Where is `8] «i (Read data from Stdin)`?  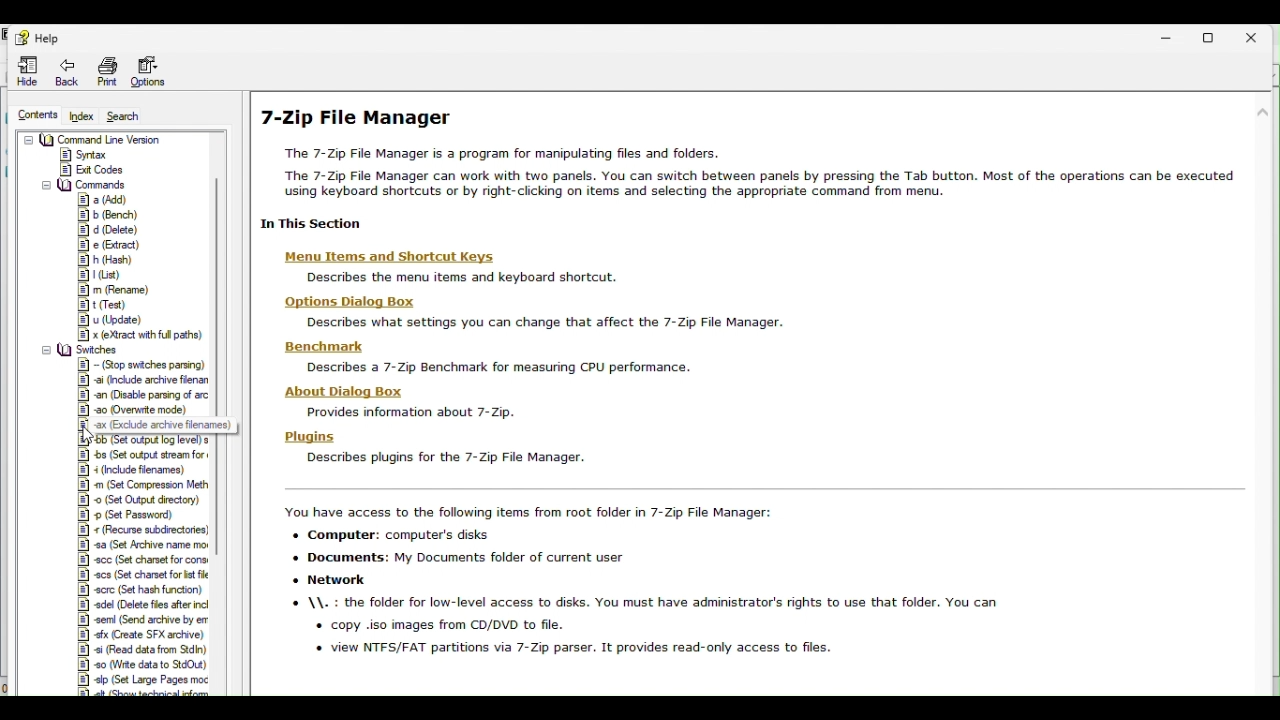 8] «i (Read data from Stdin) is located at coordinates (141, 649).